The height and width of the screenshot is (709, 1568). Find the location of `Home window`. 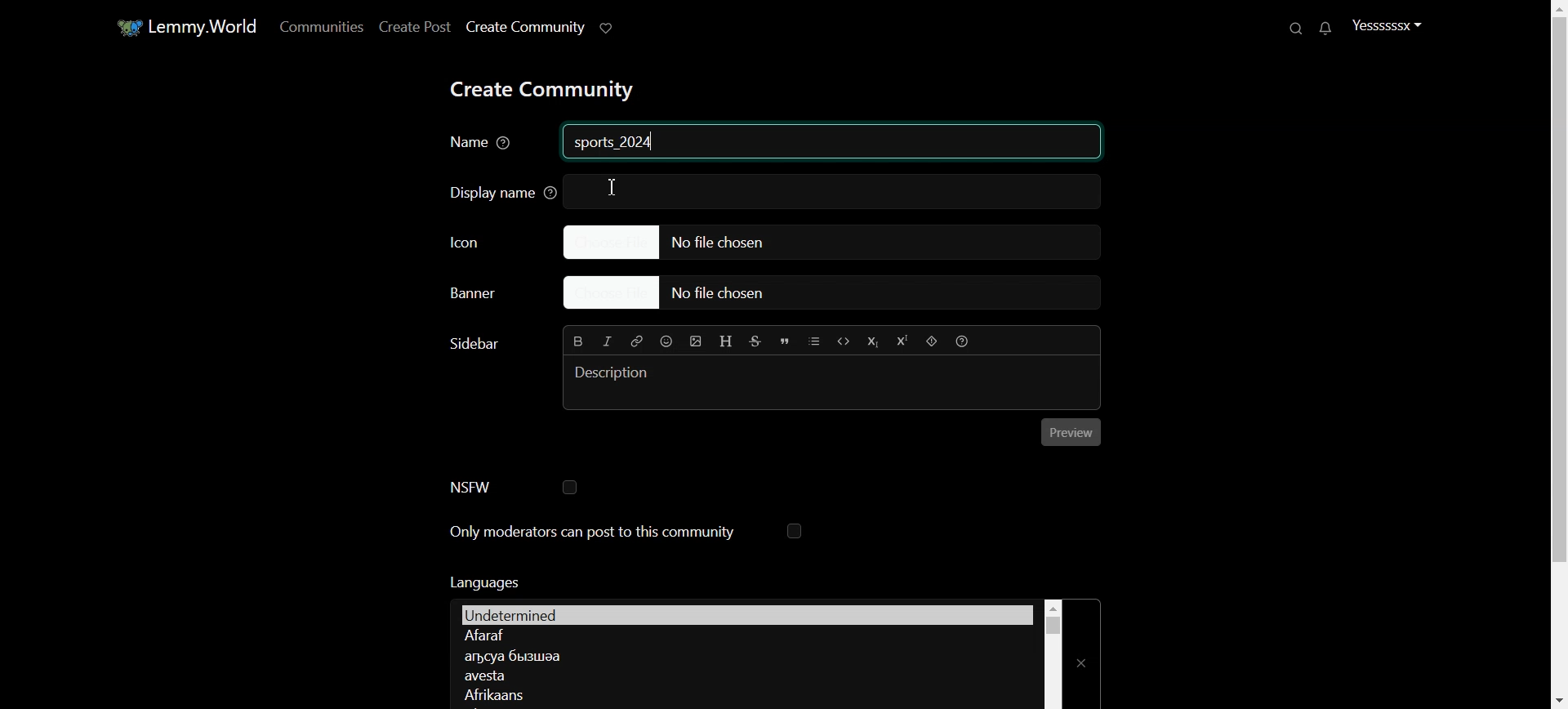

Home window is located at coordinates (185, 25).